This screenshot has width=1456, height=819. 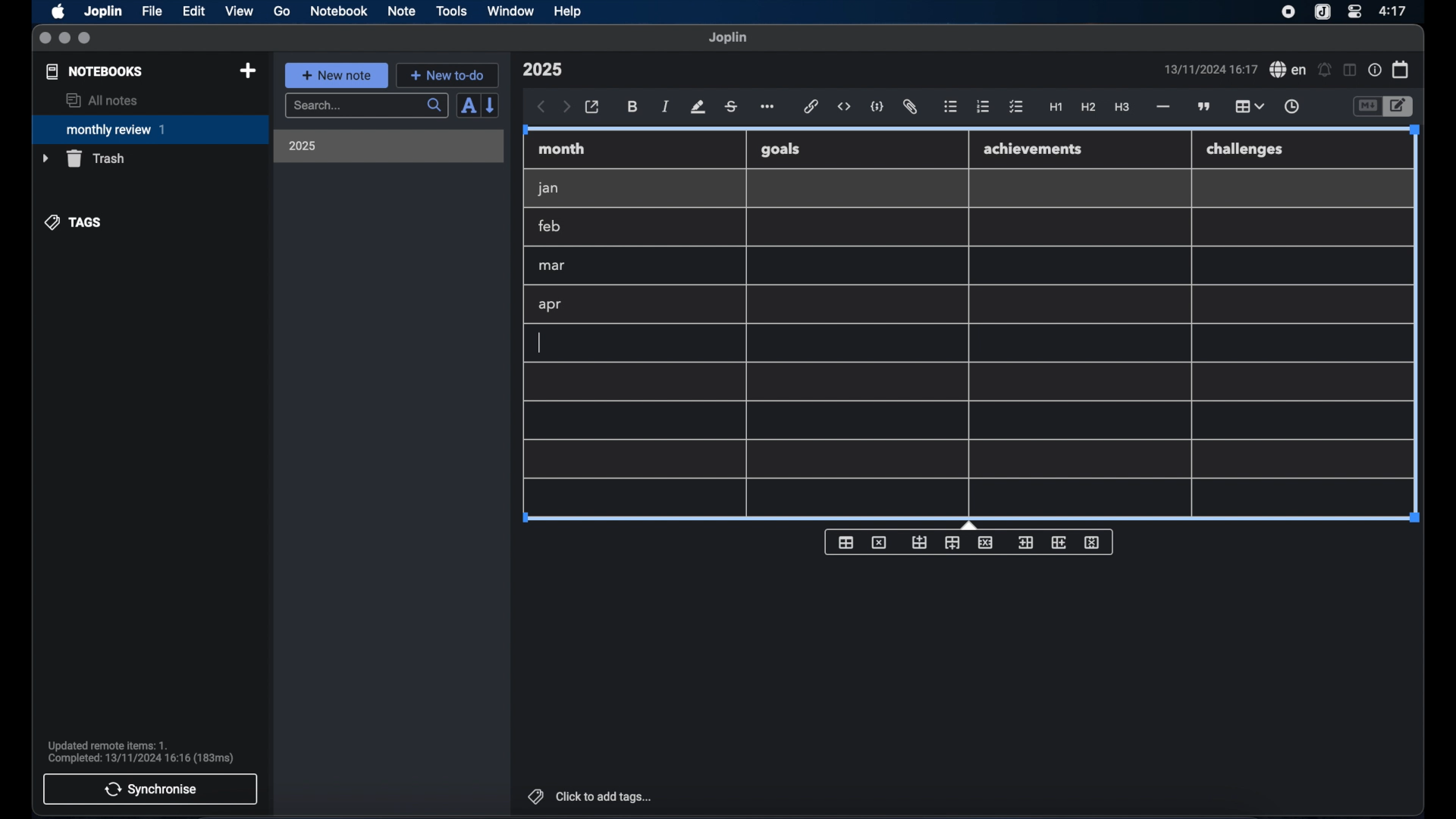 I want to click on control center, so click(x=1354, y=11).